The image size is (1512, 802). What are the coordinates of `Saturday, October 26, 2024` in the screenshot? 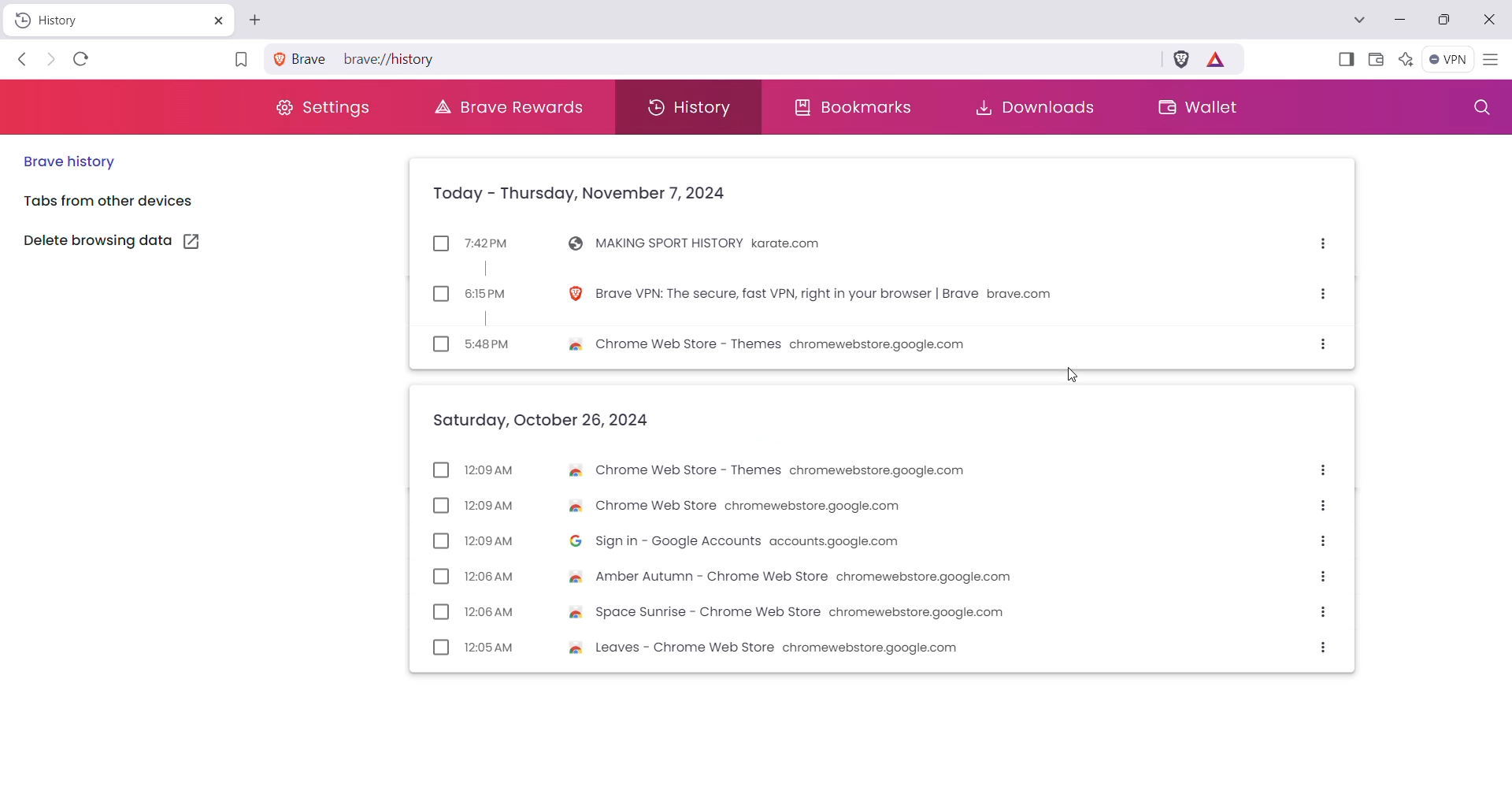 It's located at (600, 420).